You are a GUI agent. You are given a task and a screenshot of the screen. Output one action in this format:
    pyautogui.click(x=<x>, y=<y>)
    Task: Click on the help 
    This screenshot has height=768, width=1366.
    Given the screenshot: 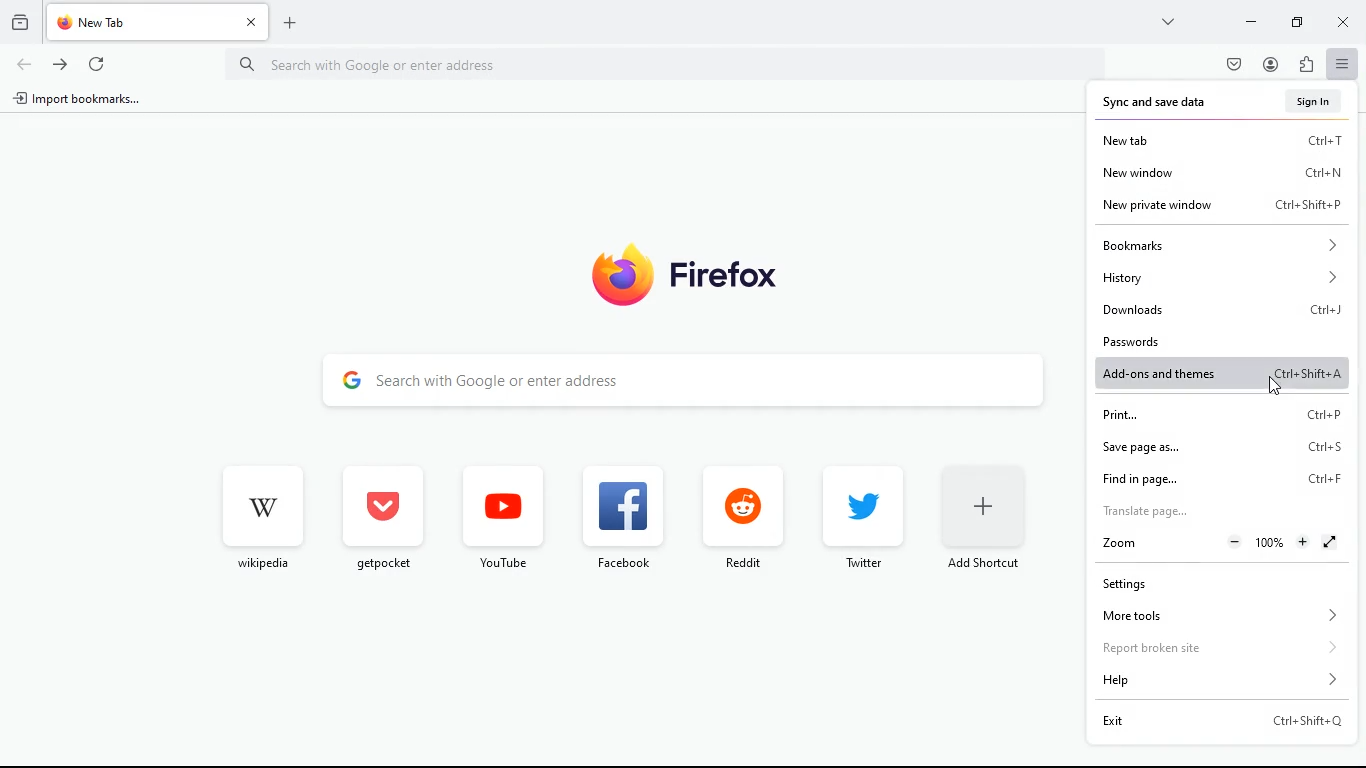 What is the action you would take?
    pyautogui.click(x=1212, y=681)
    